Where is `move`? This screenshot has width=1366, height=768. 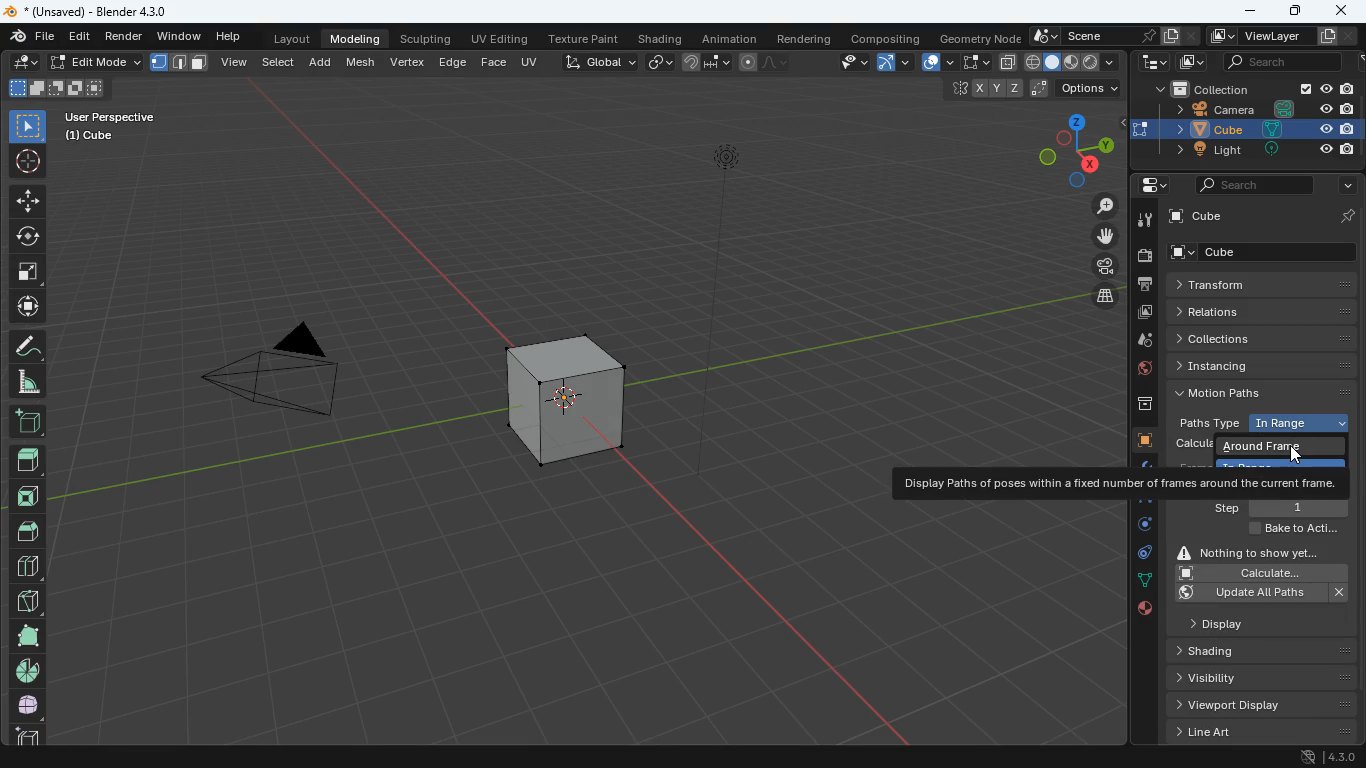
move is located at coordinates (27, 200).